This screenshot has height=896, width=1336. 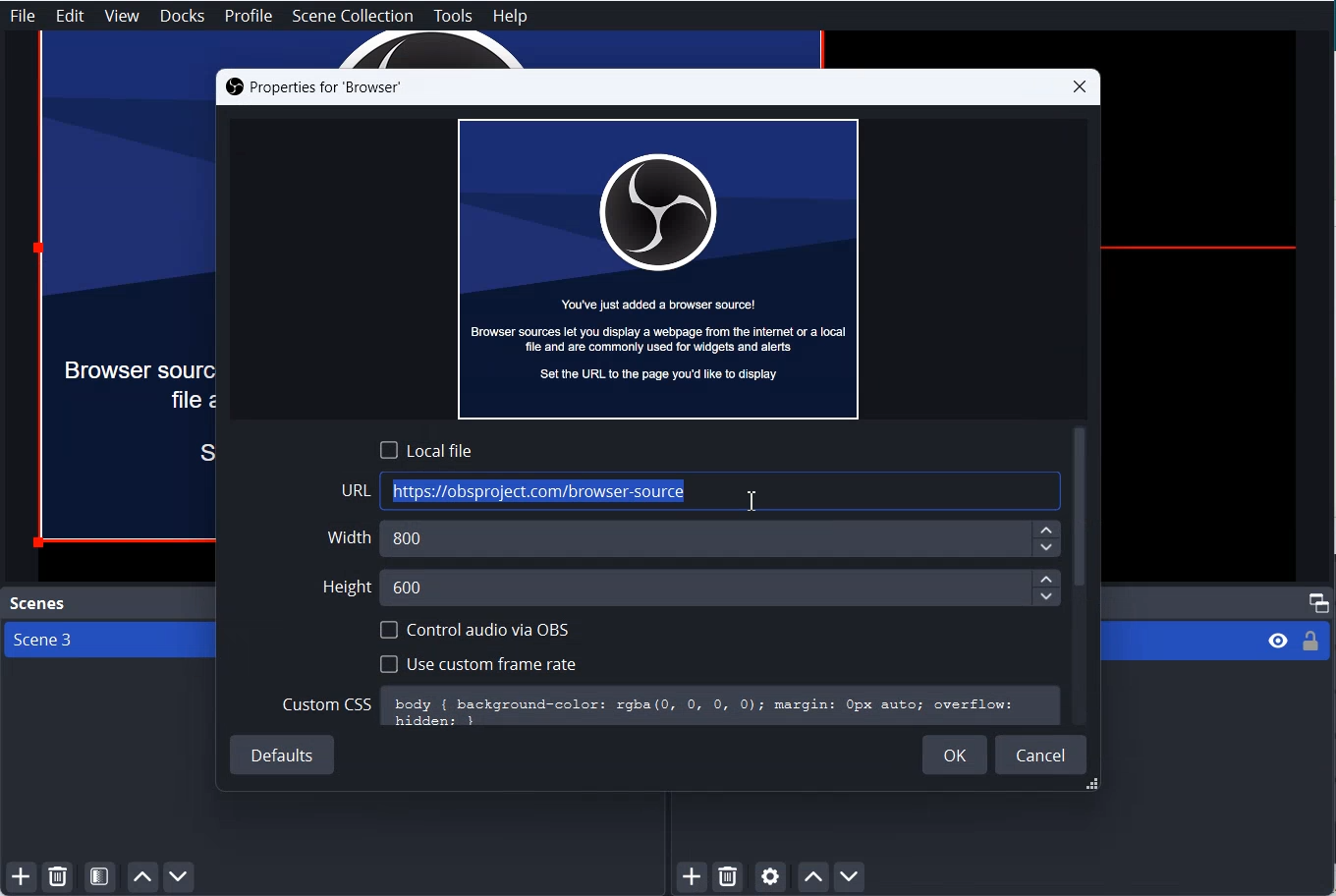 I want to click on OK, so click(x=955, y=755).